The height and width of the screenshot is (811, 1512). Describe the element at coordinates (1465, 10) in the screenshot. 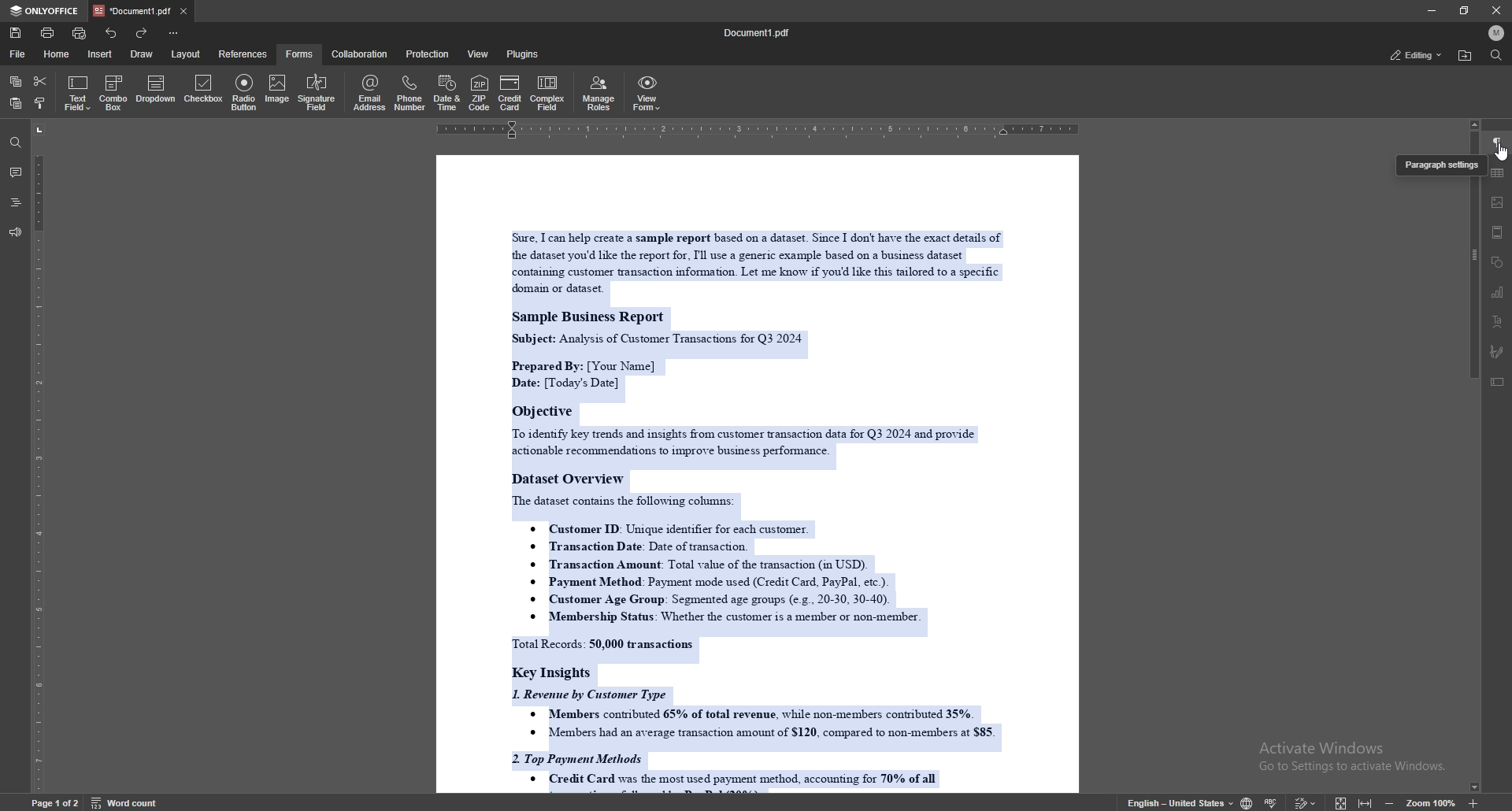

I see `resize` at that location.